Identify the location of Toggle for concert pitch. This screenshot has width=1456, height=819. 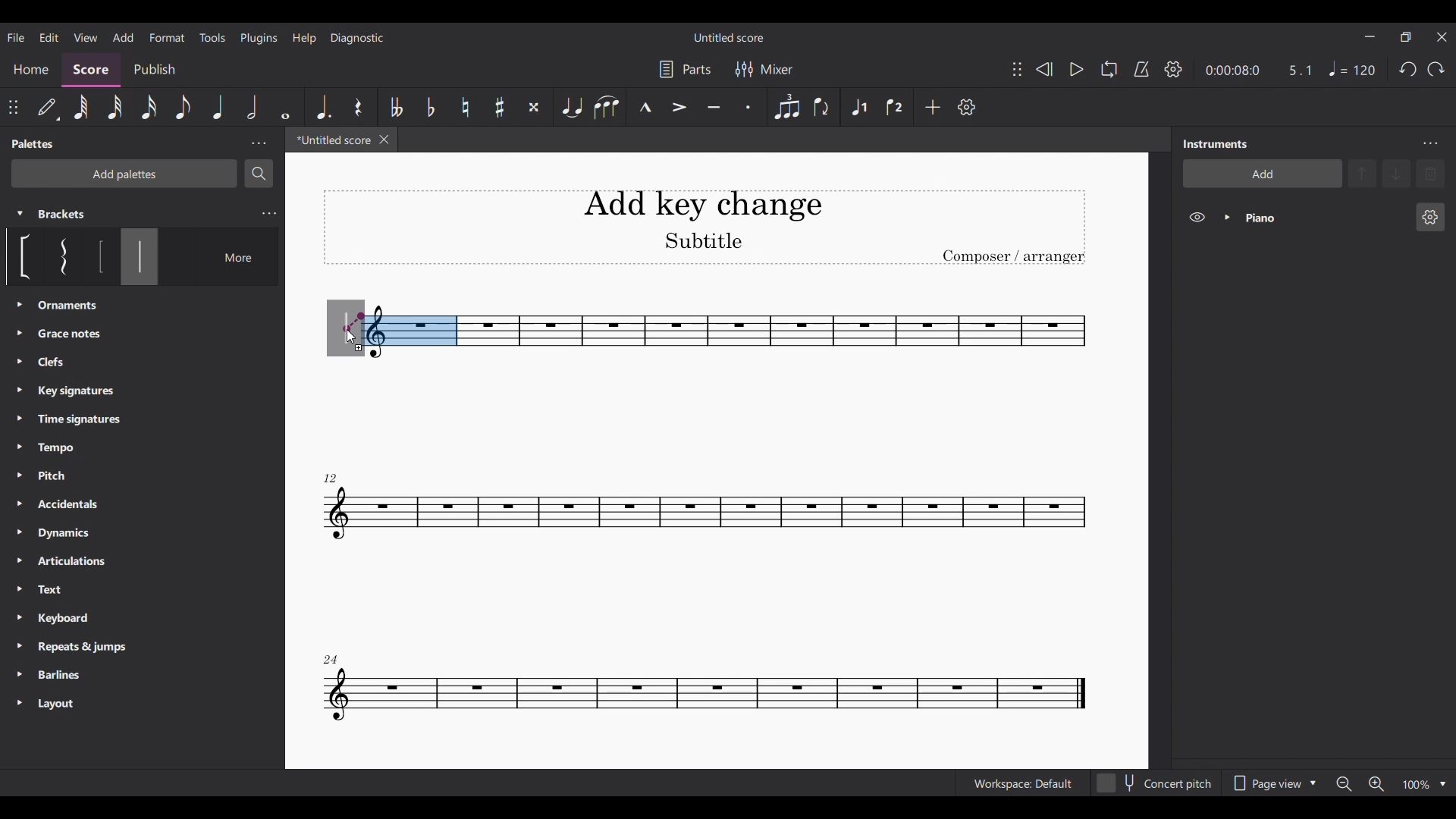
(1154, 783).